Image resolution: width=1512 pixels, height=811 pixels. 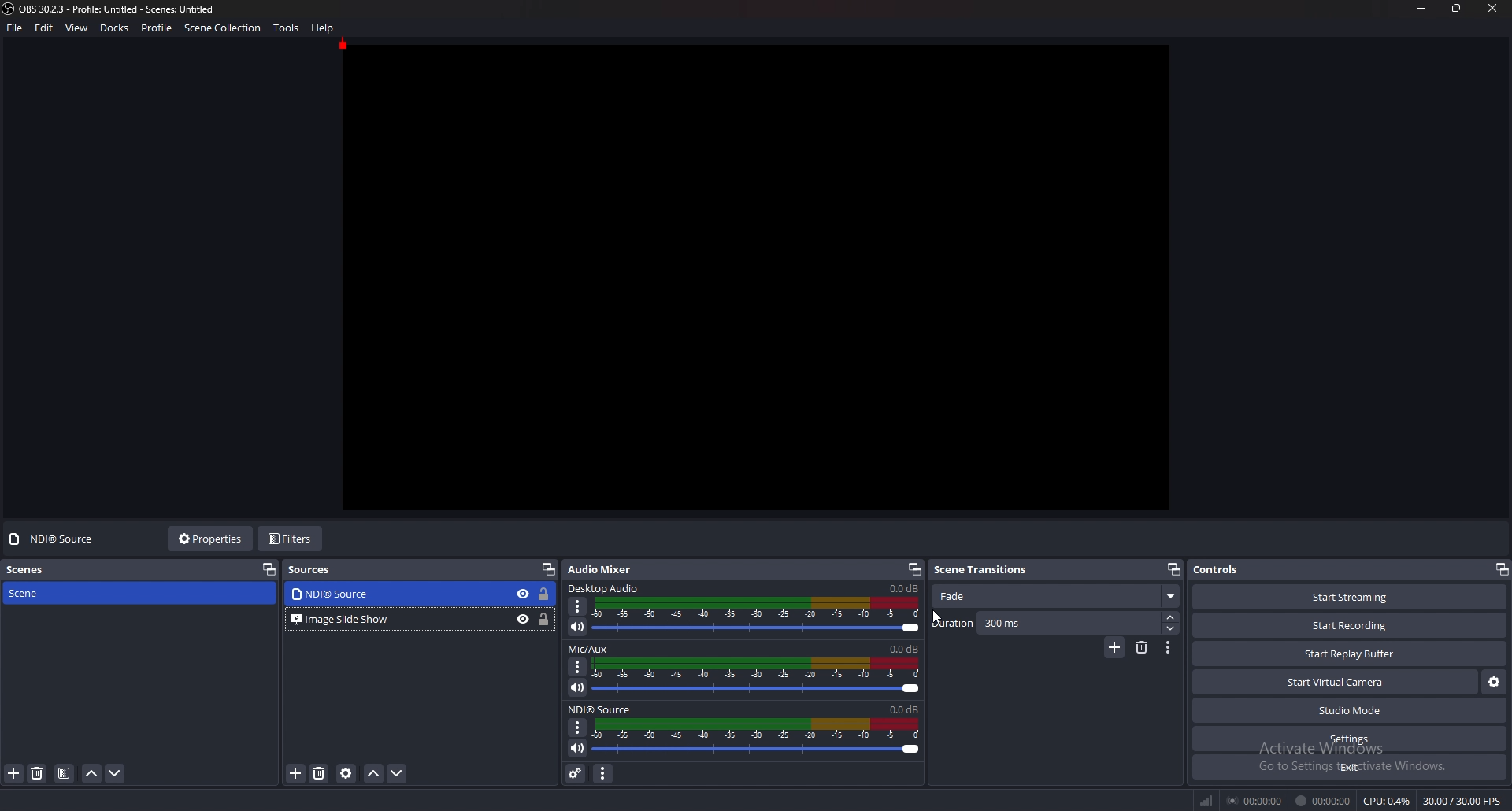 What do you see at coordinates (1494, 682) in the screenshot?
I see `configure virtual camera` at bounding box center [1494, 682].